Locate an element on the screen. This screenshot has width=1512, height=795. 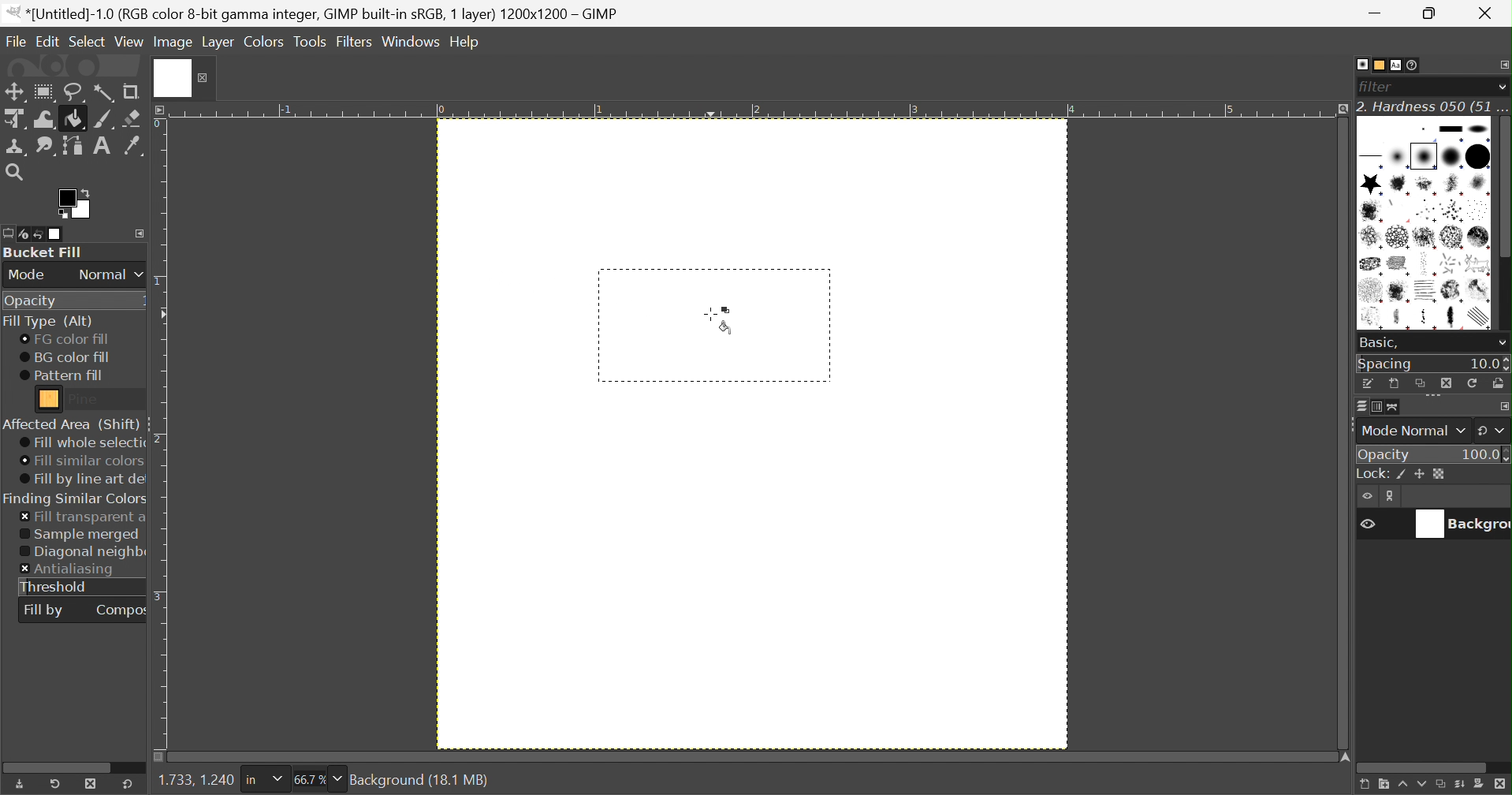
Fill by is located at coordinates (43, 611).